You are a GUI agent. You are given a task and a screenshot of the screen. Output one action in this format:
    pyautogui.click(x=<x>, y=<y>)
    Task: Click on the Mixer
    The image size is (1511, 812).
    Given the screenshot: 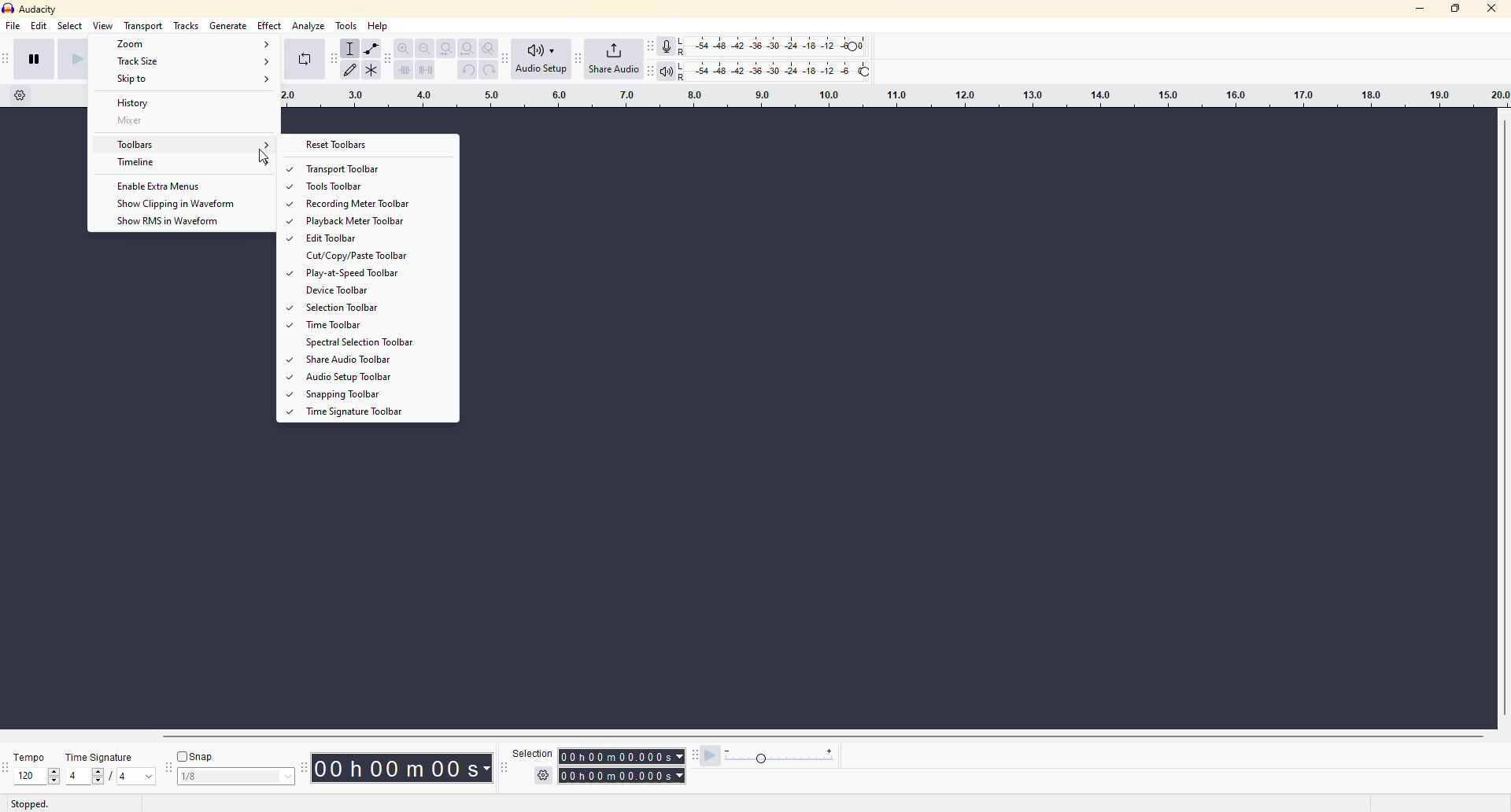 What is the action you would take?
    pyautogui.click(x=167, y=123)
    